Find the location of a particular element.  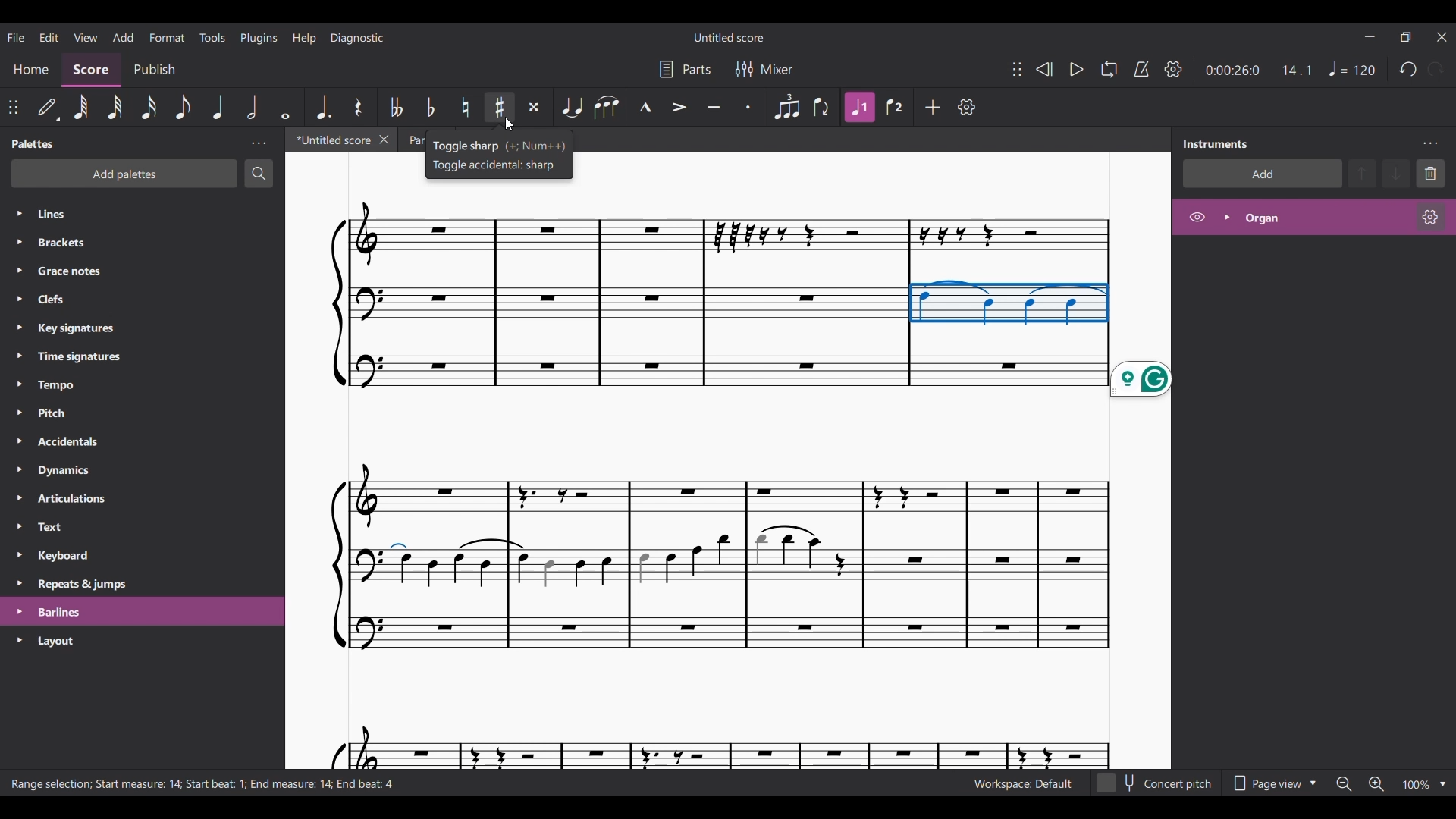

Toggle double flat is located at coordinates (394, 106).